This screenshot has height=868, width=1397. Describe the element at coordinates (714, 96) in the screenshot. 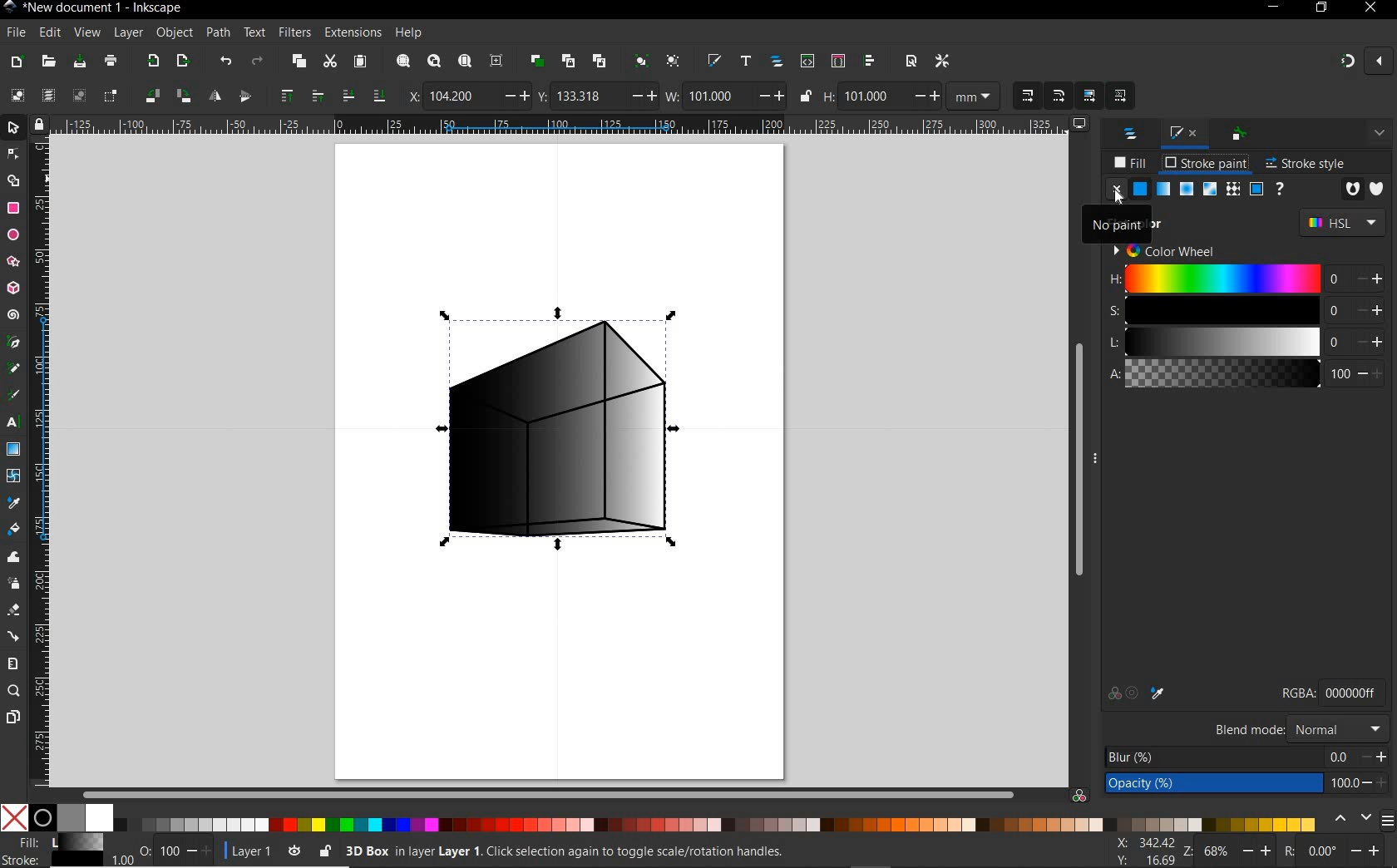

I see `101` at that location.